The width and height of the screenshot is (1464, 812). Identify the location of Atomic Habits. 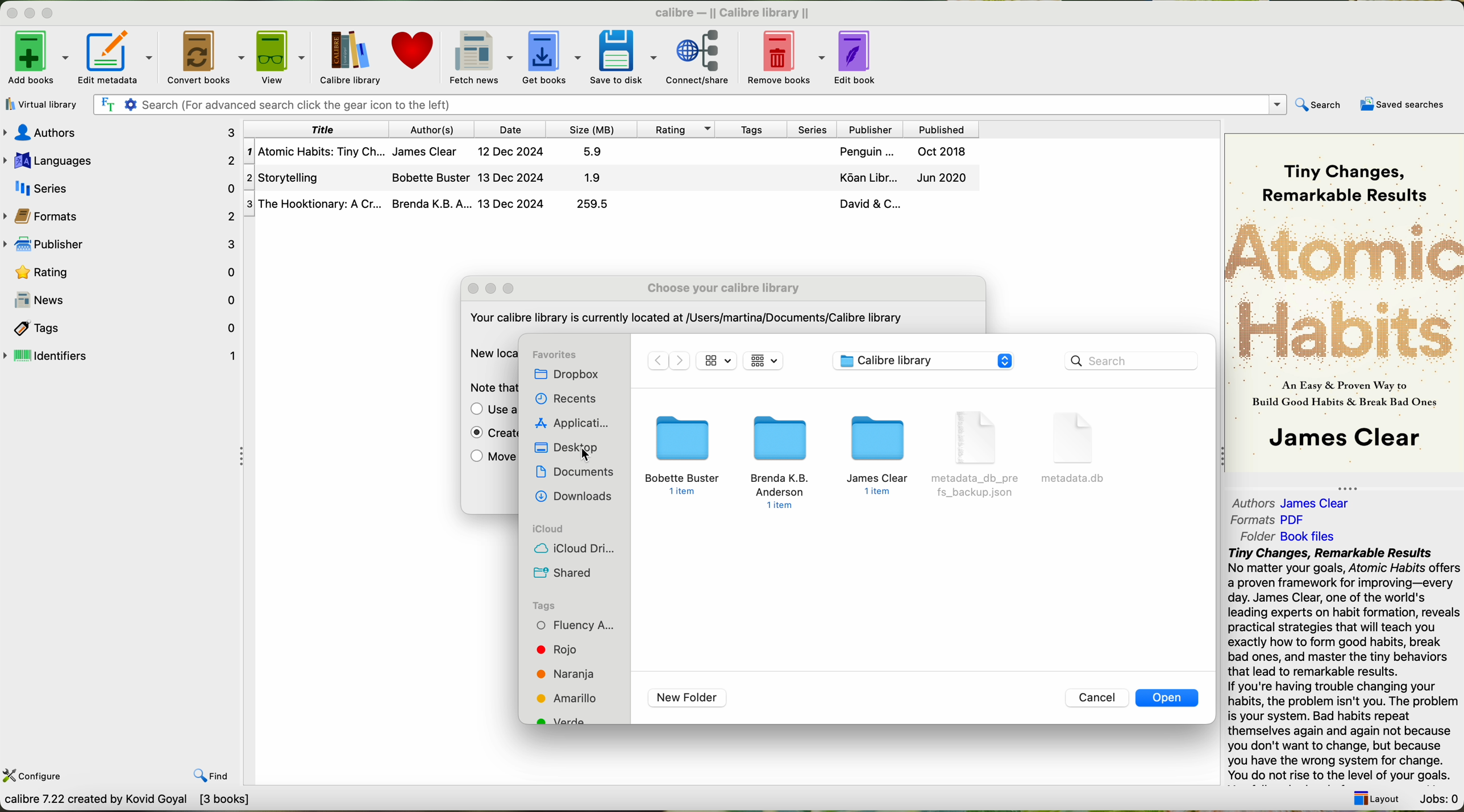
(1345, 289).